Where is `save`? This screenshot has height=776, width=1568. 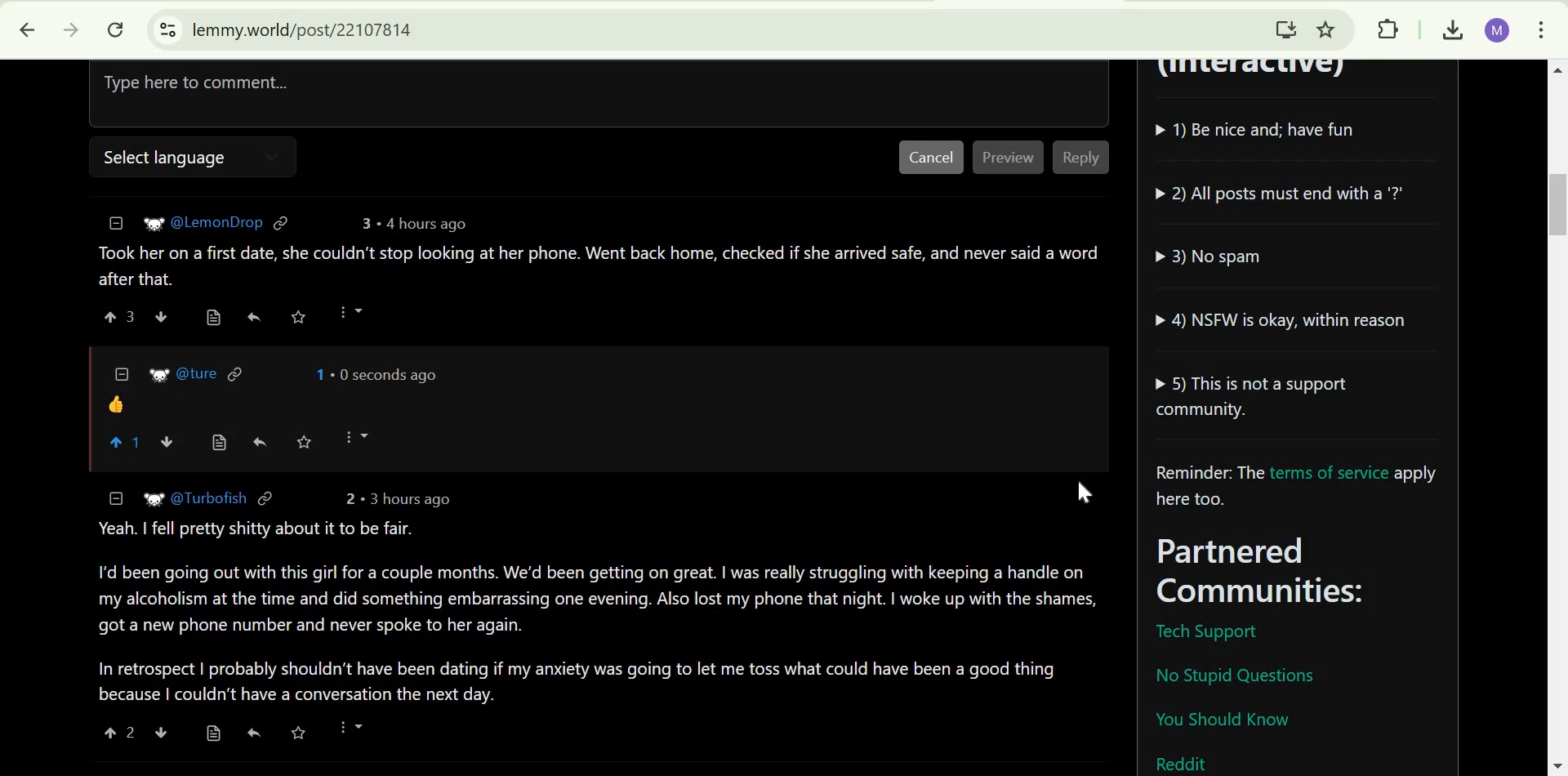
save is located at coordinates (299, 316).